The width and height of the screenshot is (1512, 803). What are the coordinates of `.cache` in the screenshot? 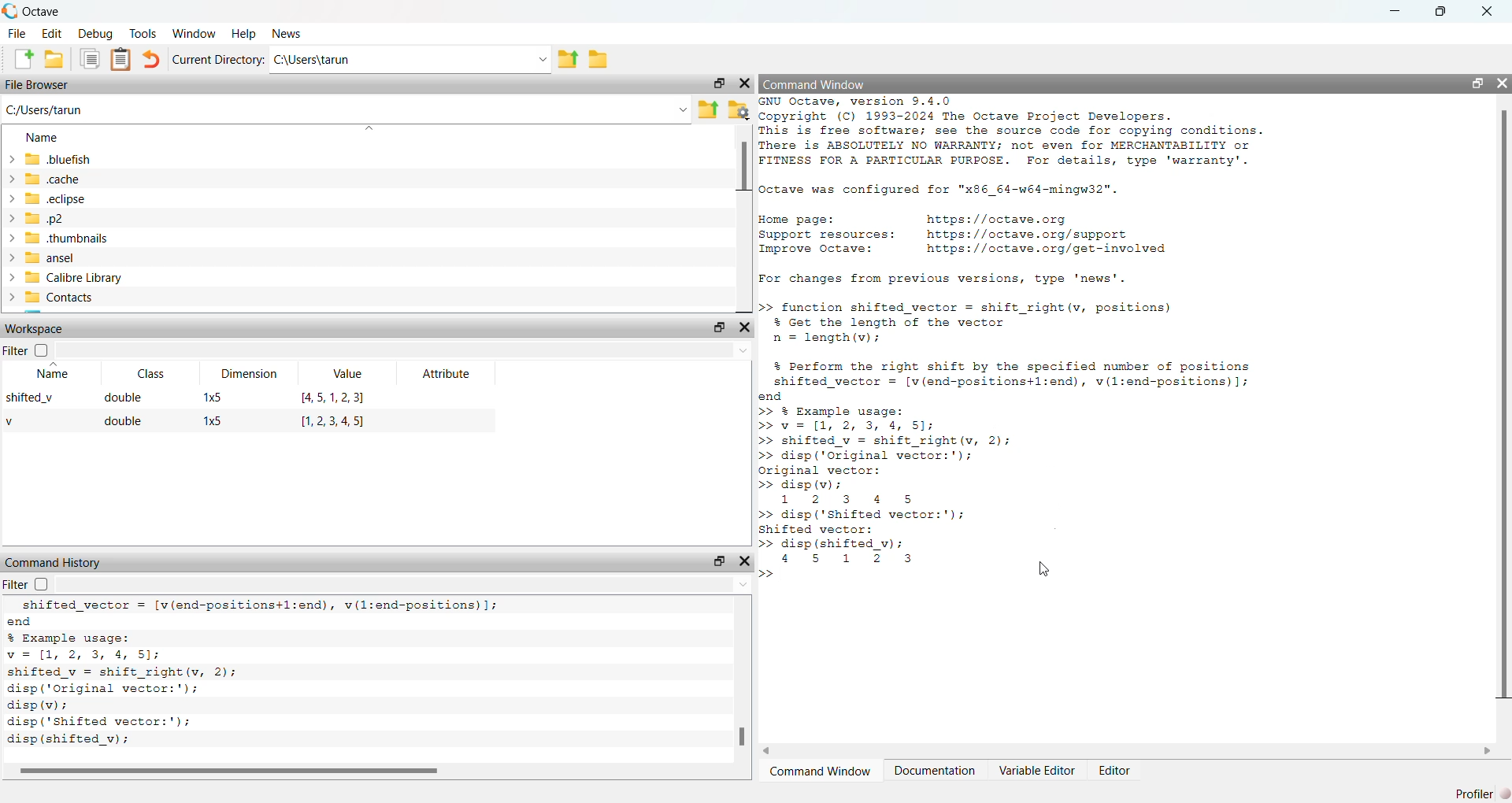 It's located at (77, 180).